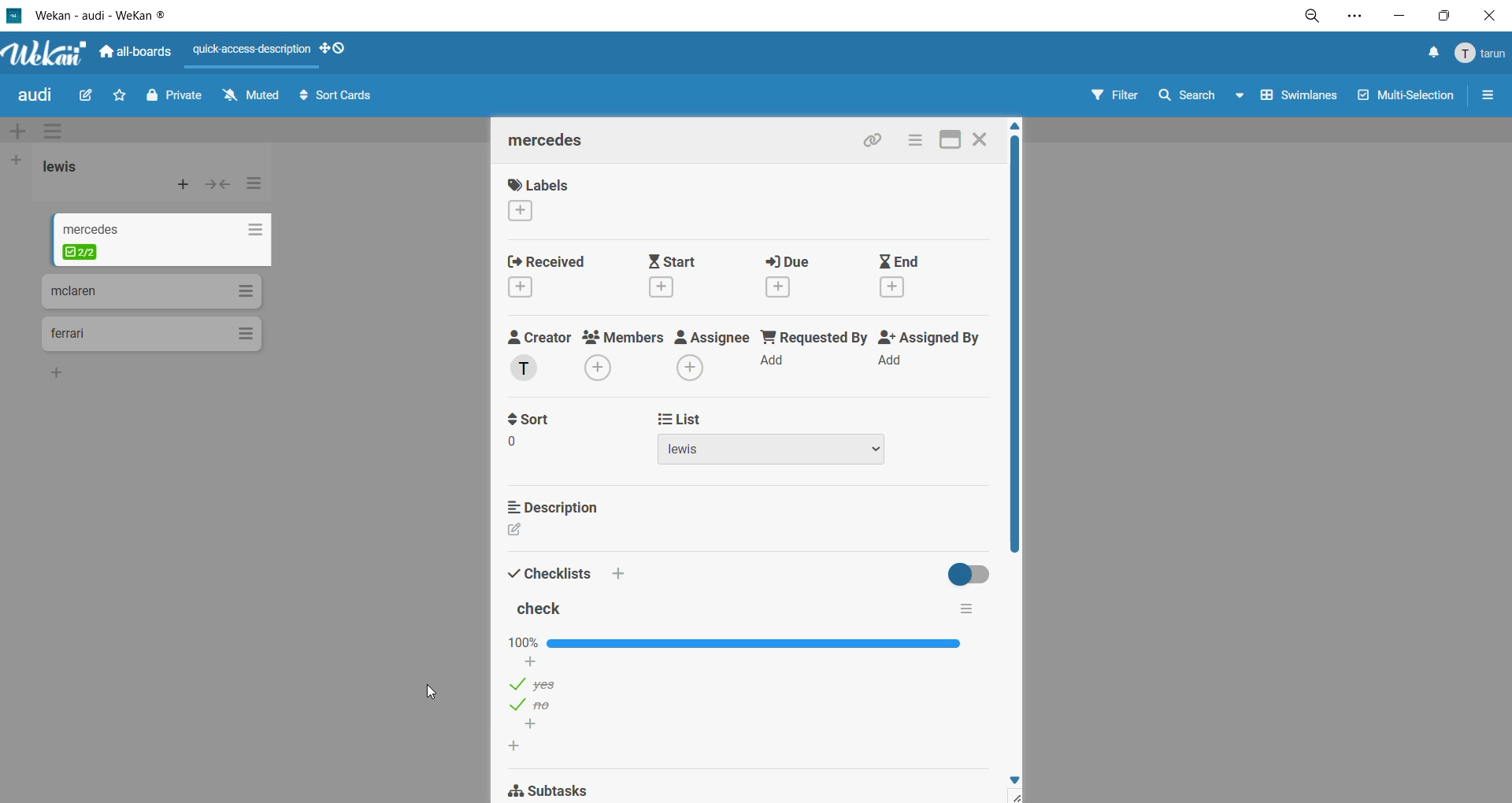  I want to click on copy, so click(880, 141).